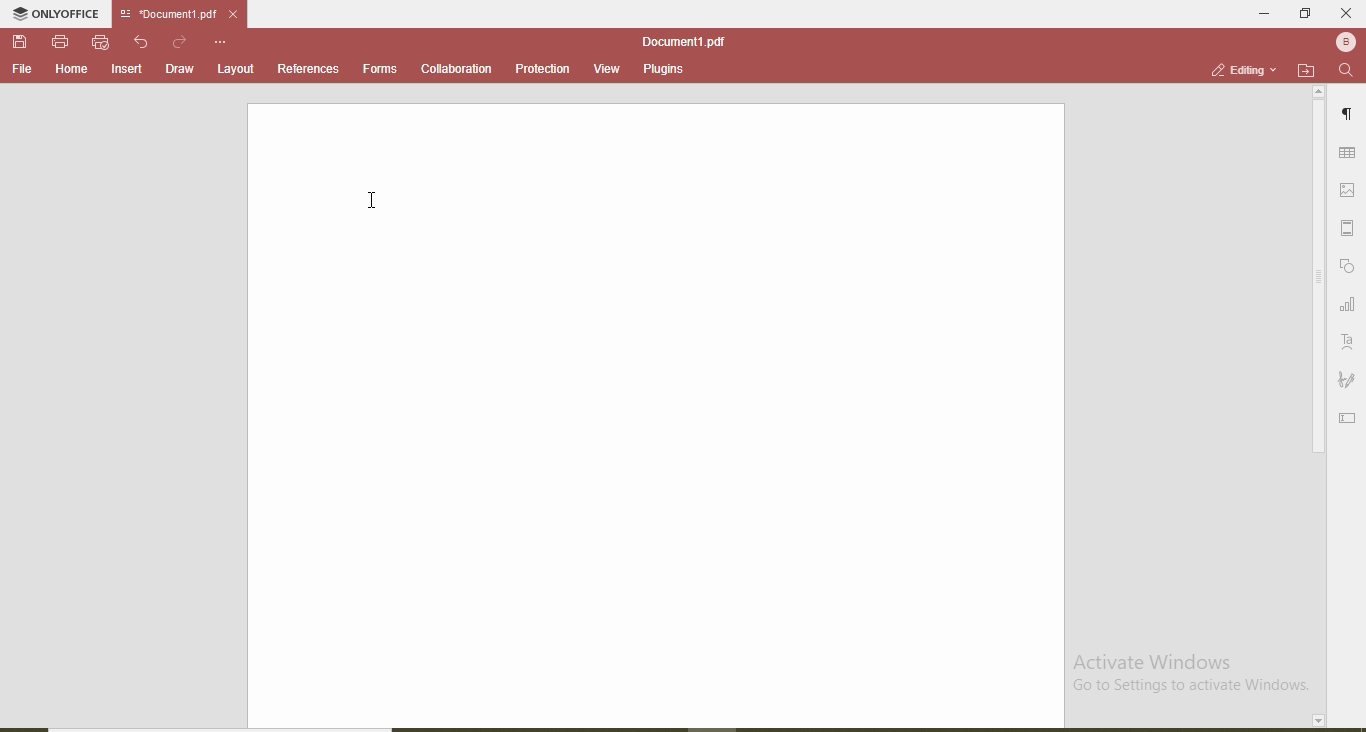 This screenshot has width=1366, height=732. What do you see at coordinates (235, 726) in the screenshot?
I see `horizontal scroll bar` at bounding box center [235, 726].